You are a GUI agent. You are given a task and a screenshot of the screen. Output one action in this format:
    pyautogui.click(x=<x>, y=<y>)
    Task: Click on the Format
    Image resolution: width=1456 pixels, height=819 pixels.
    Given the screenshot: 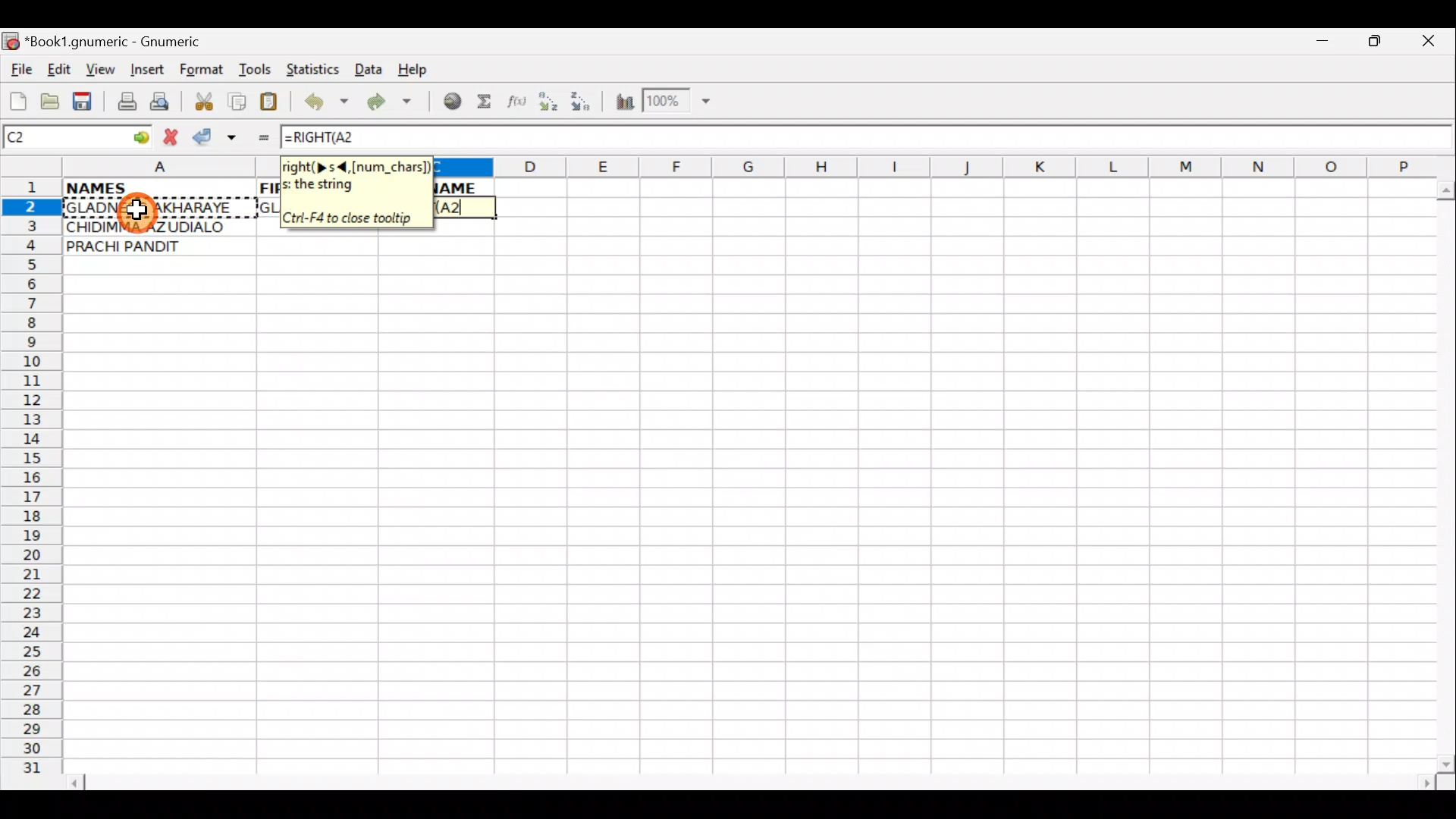 What is the action you would take?
    pyautogui.click(x=205, y=71)
    